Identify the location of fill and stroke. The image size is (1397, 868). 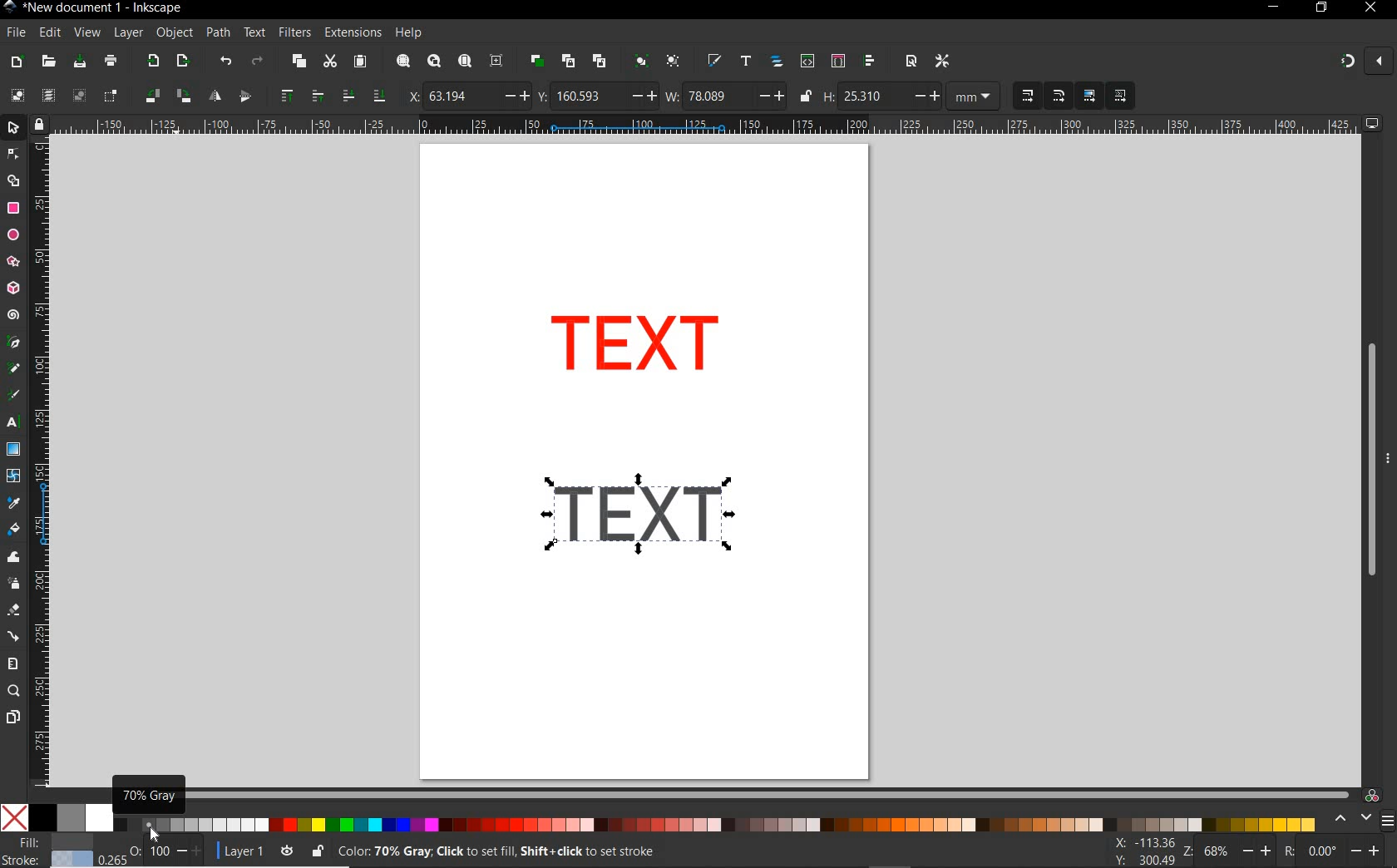
(51, 851).